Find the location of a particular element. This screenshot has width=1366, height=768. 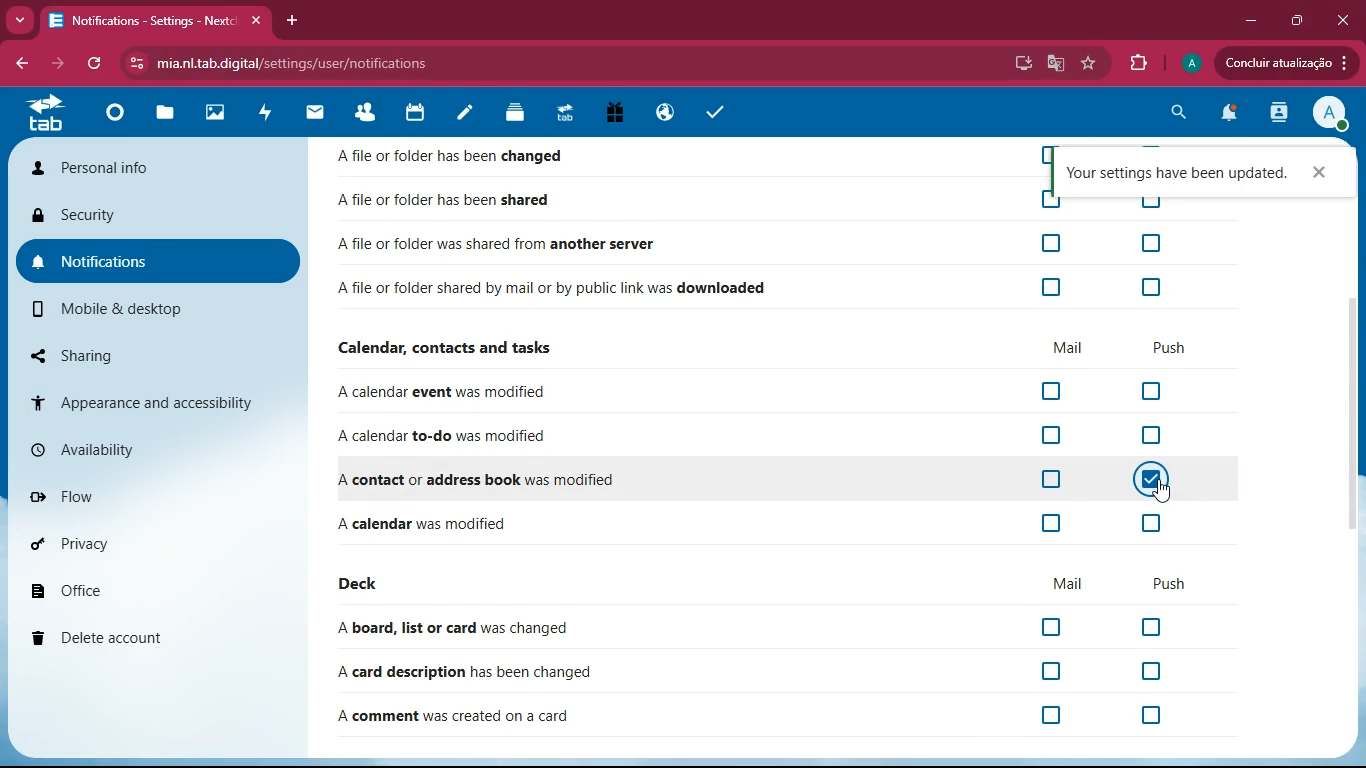

forward is located at coordinates (61, 64).